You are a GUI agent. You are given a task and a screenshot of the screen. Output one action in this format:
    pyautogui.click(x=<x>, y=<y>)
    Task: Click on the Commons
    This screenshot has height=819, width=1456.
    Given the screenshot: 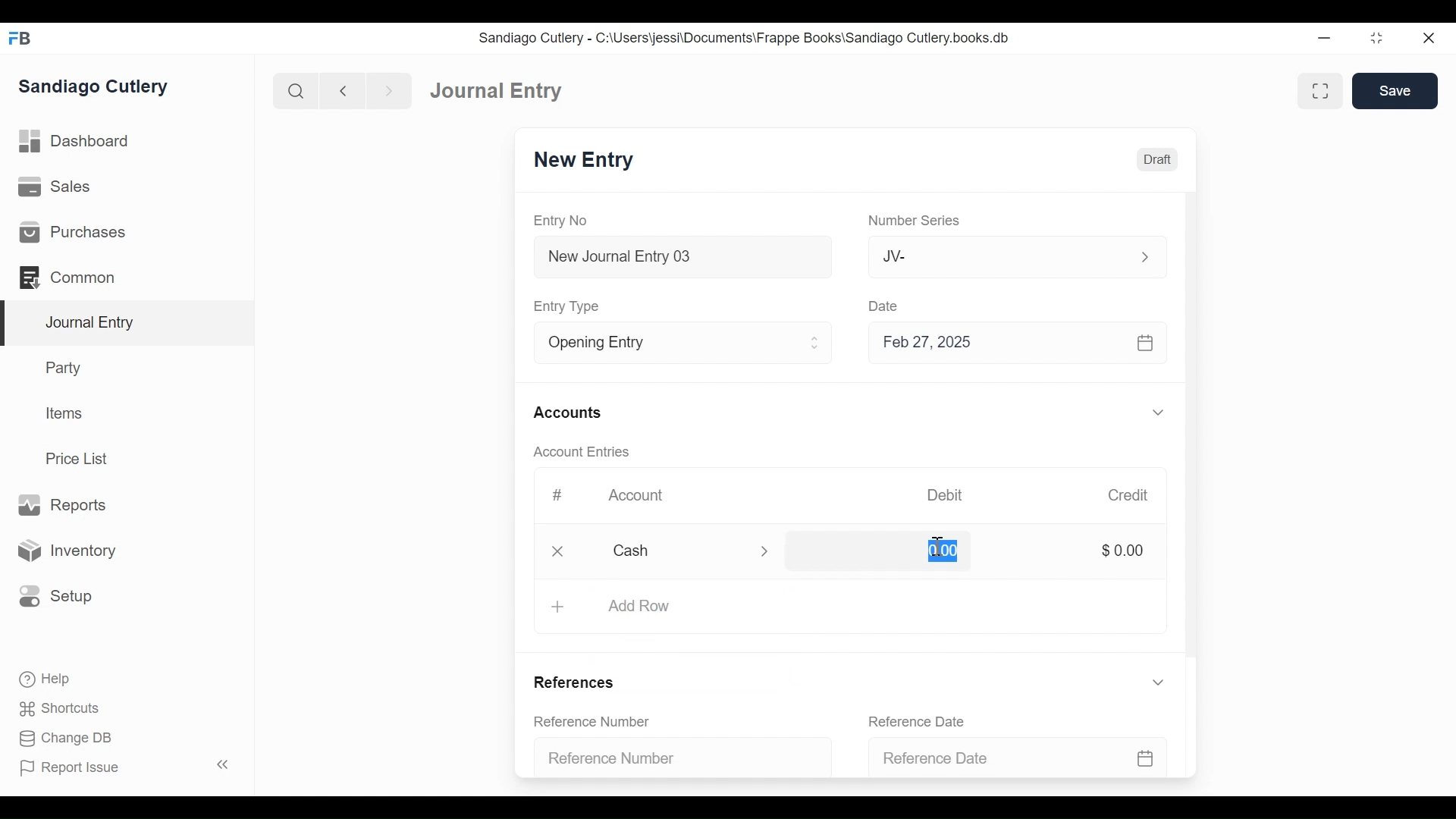 What is the action you would take?
    pyautogui.click(x=66, y=277)
    